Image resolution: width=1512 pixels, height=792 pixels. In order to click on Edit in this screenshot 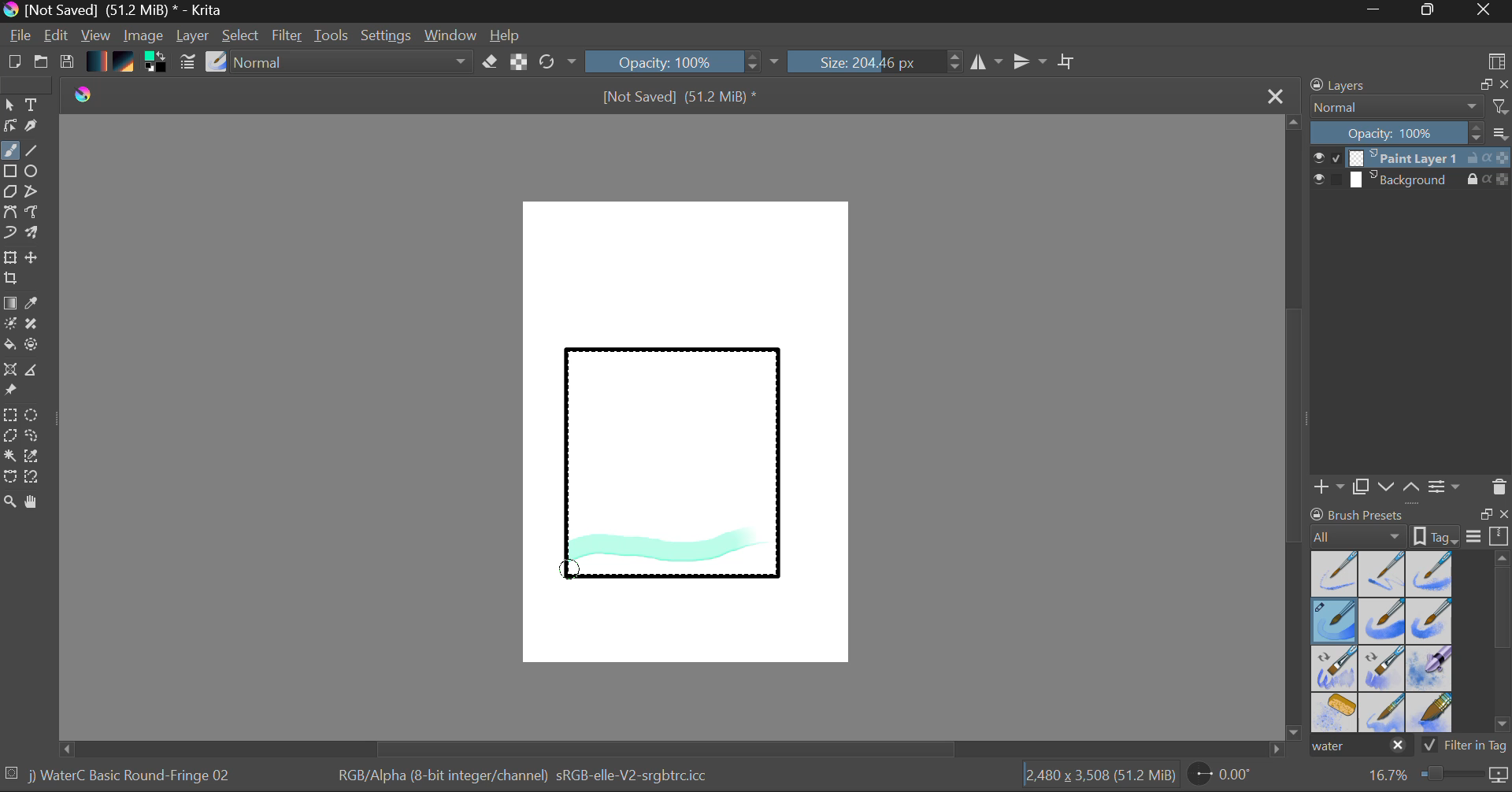, I will do `click(57, 37)`.